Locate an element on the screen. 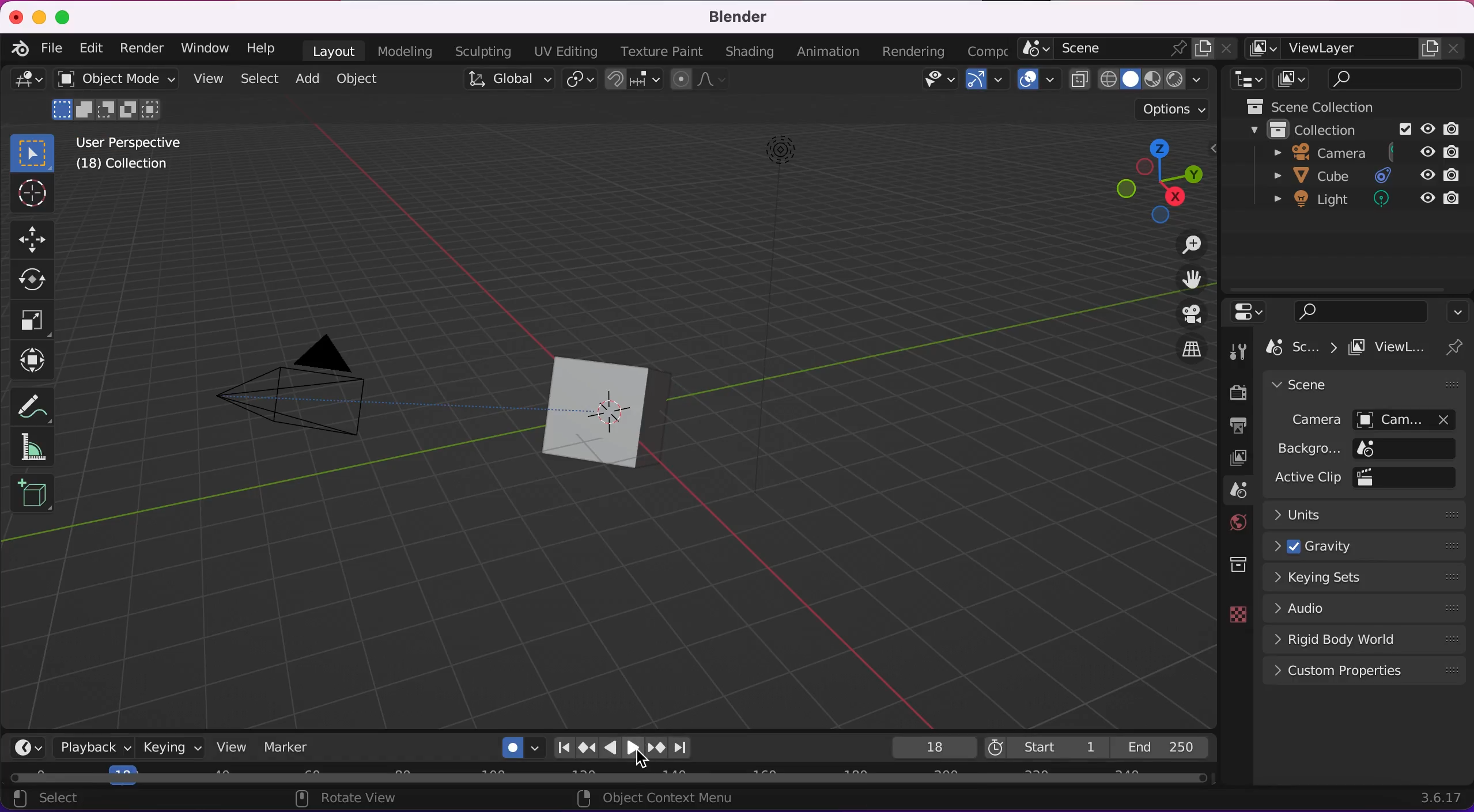 This screenshot has height=812, width=1474. background is located at coordinates (1363, 449).